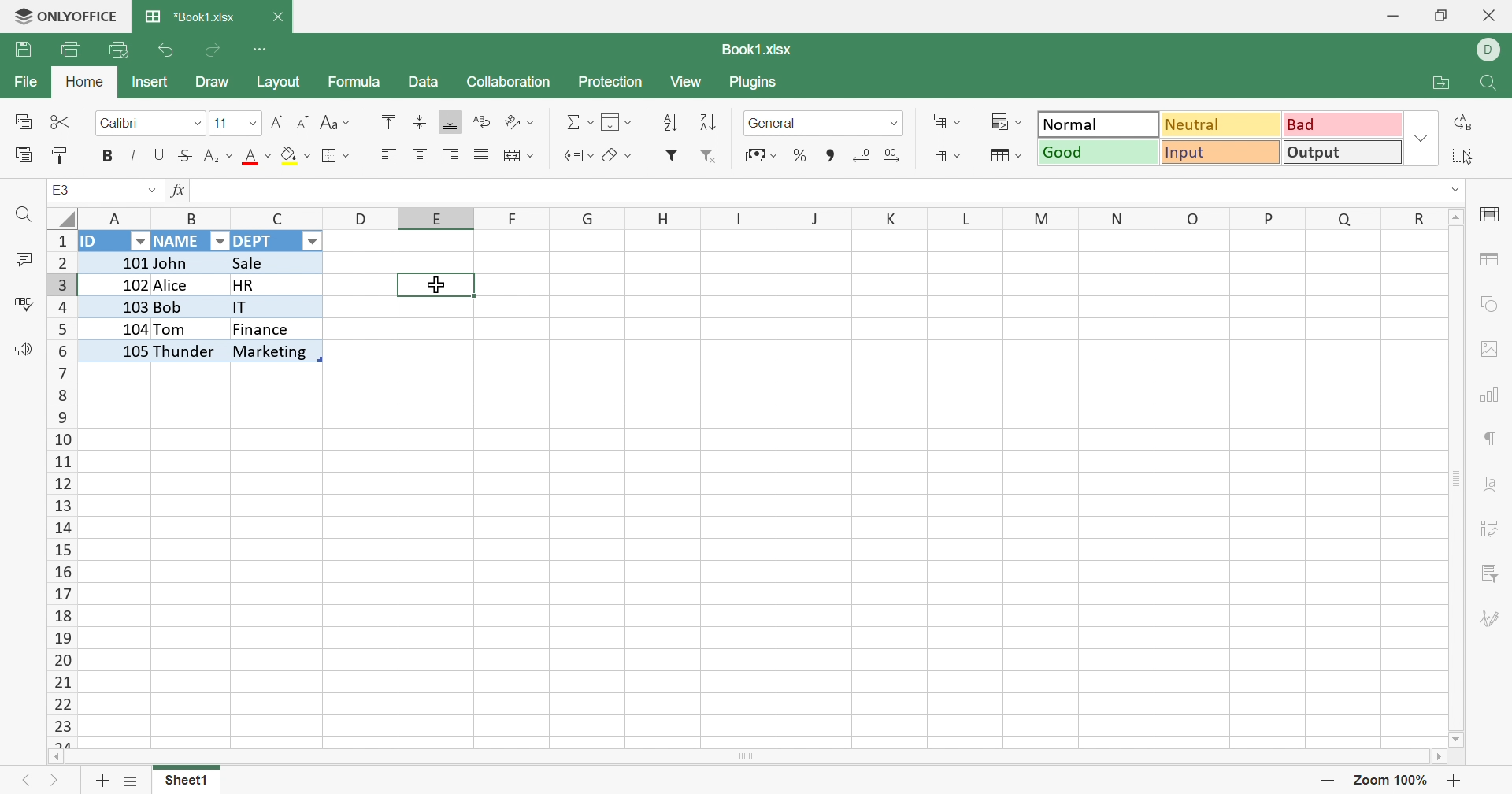 The image size is (1512, 794). What do you see at coordinates (758, 84) in the screenshot?
I see `Plugins` at bounding box center [758, 84].